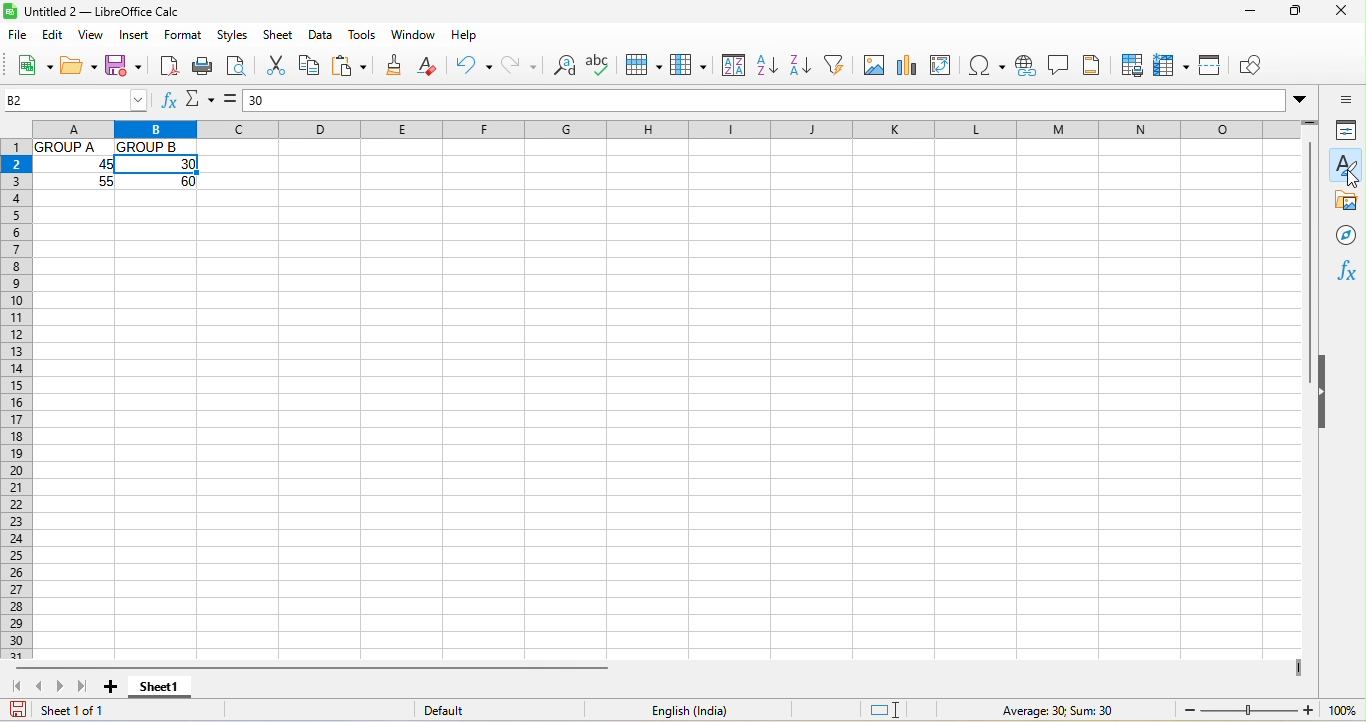  What do you see at coordinates (17, 36) in the screenshot?
I see `file` at bounding box center [17, 36].